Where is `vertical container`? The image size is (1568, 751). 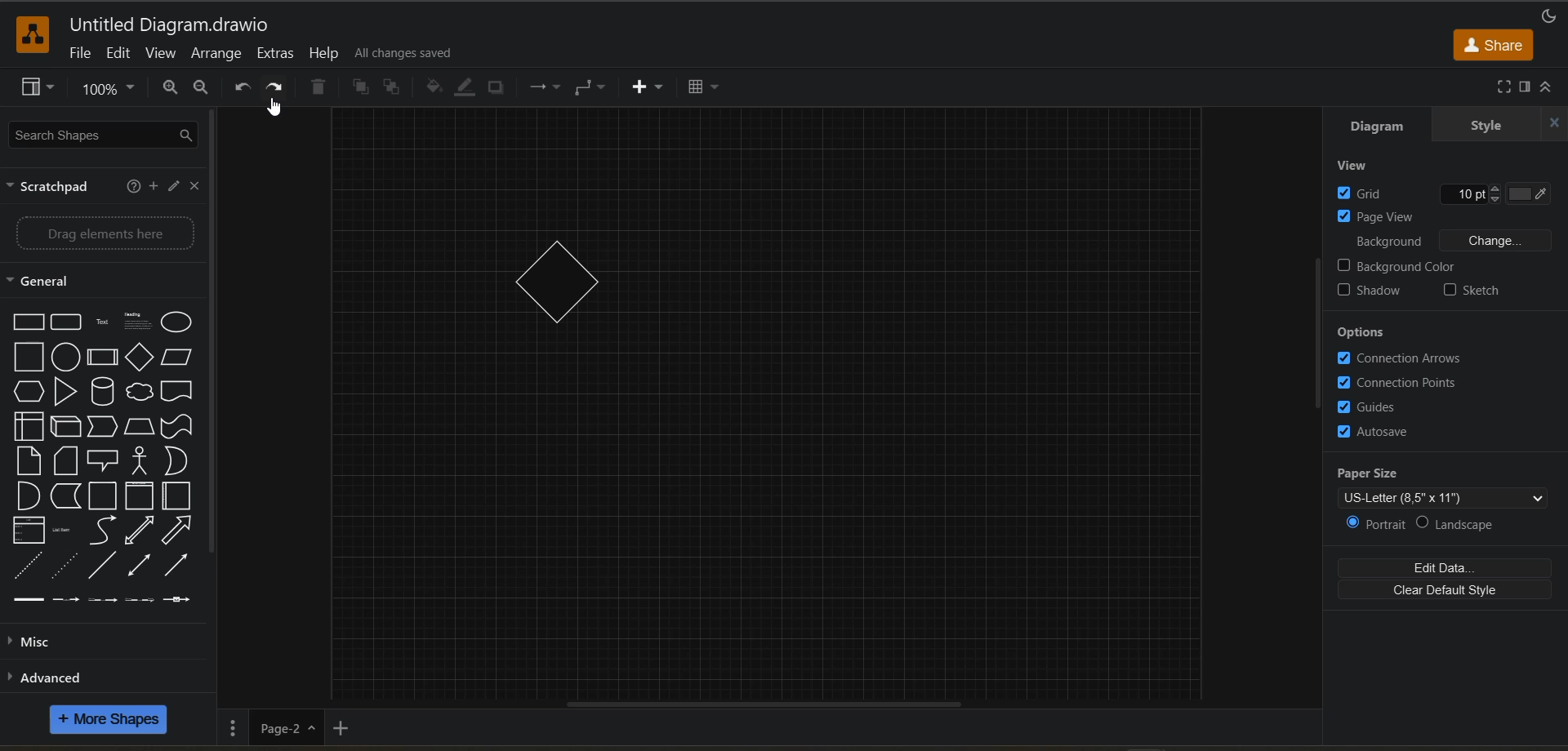
vertical container is located at coordinates (136, 497).